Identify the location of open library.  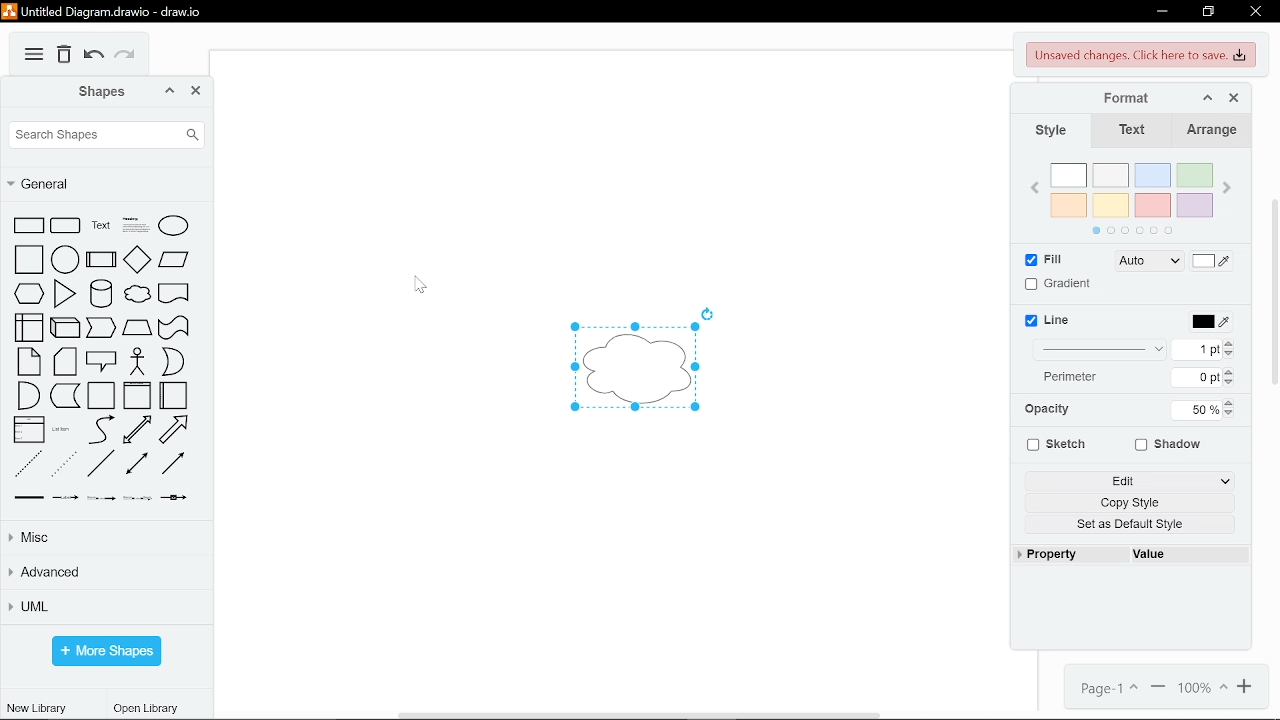
(147, 708).